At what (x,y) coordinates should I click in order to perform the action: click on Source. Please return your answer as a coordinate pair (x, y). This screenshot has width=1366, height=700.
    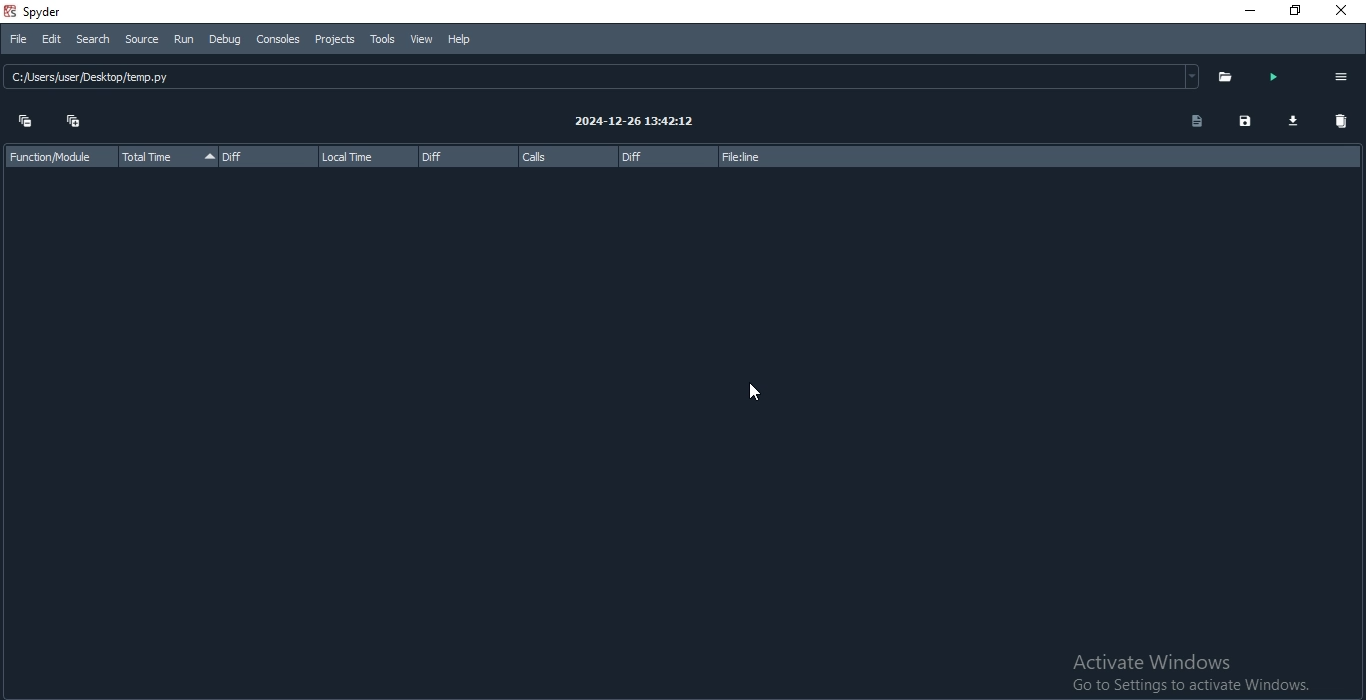
    Looking at the image, I should click on (143, 40).